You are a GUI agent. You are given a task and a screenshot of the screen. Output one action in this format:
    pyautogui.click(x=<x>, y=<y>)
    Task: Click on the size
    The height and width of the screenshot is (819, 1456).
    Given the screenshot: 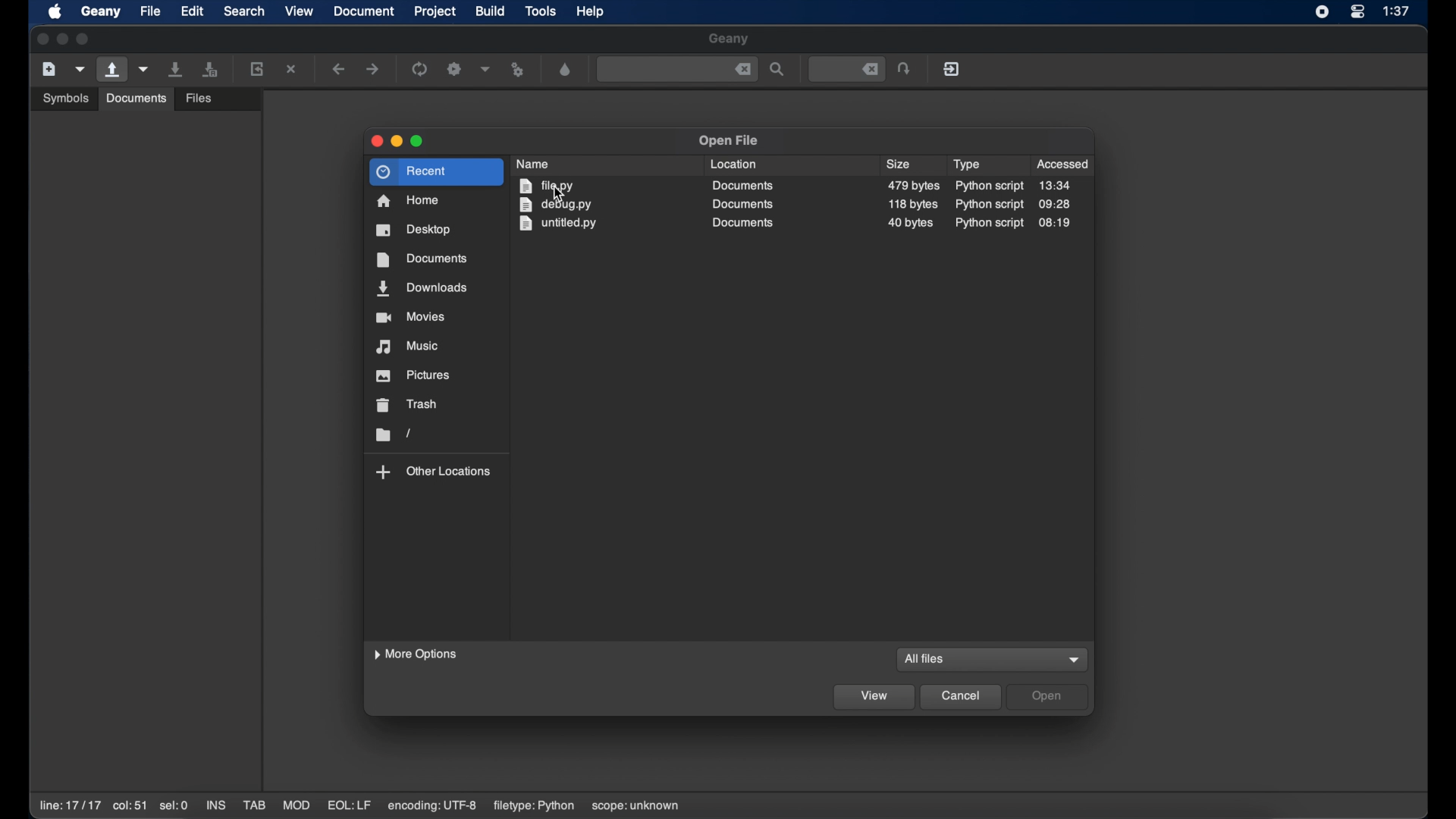 What is the action you would take?
    pyautogui.click(x=914, y=186)
    